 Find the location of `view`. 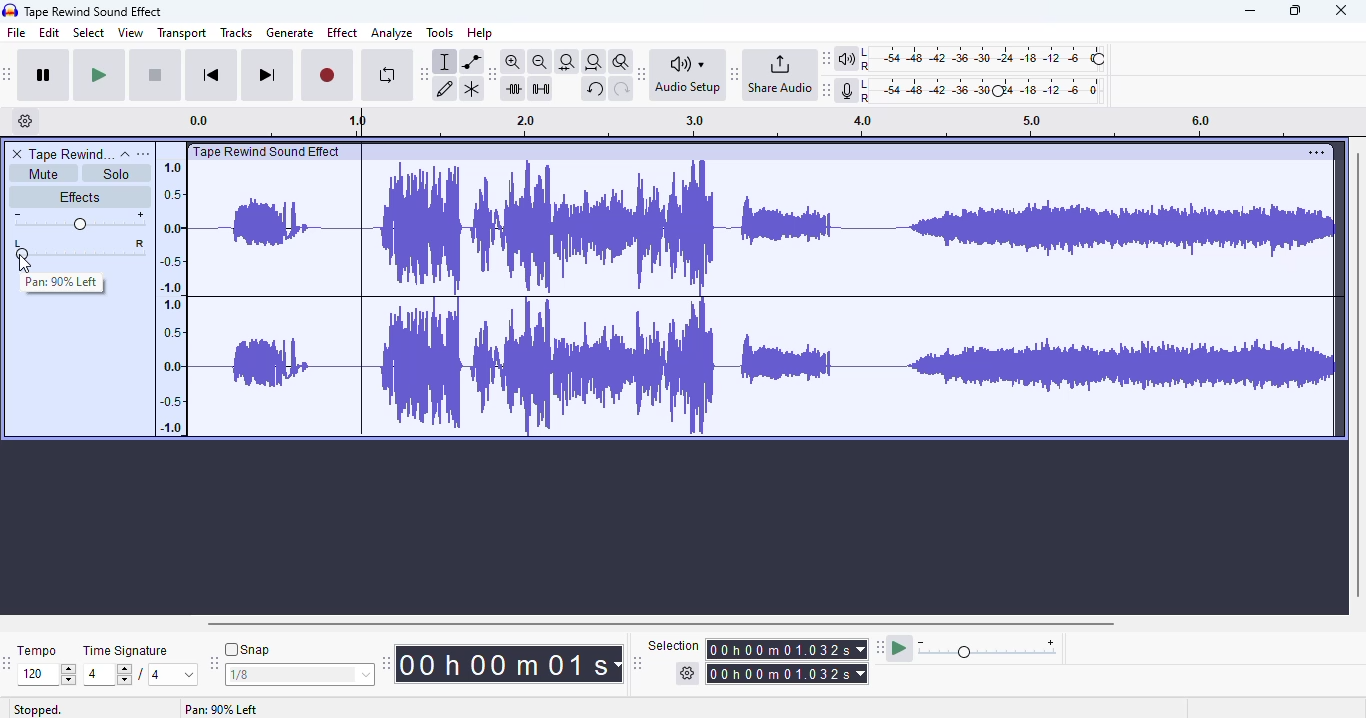

view is located at coordinates (131, 32).